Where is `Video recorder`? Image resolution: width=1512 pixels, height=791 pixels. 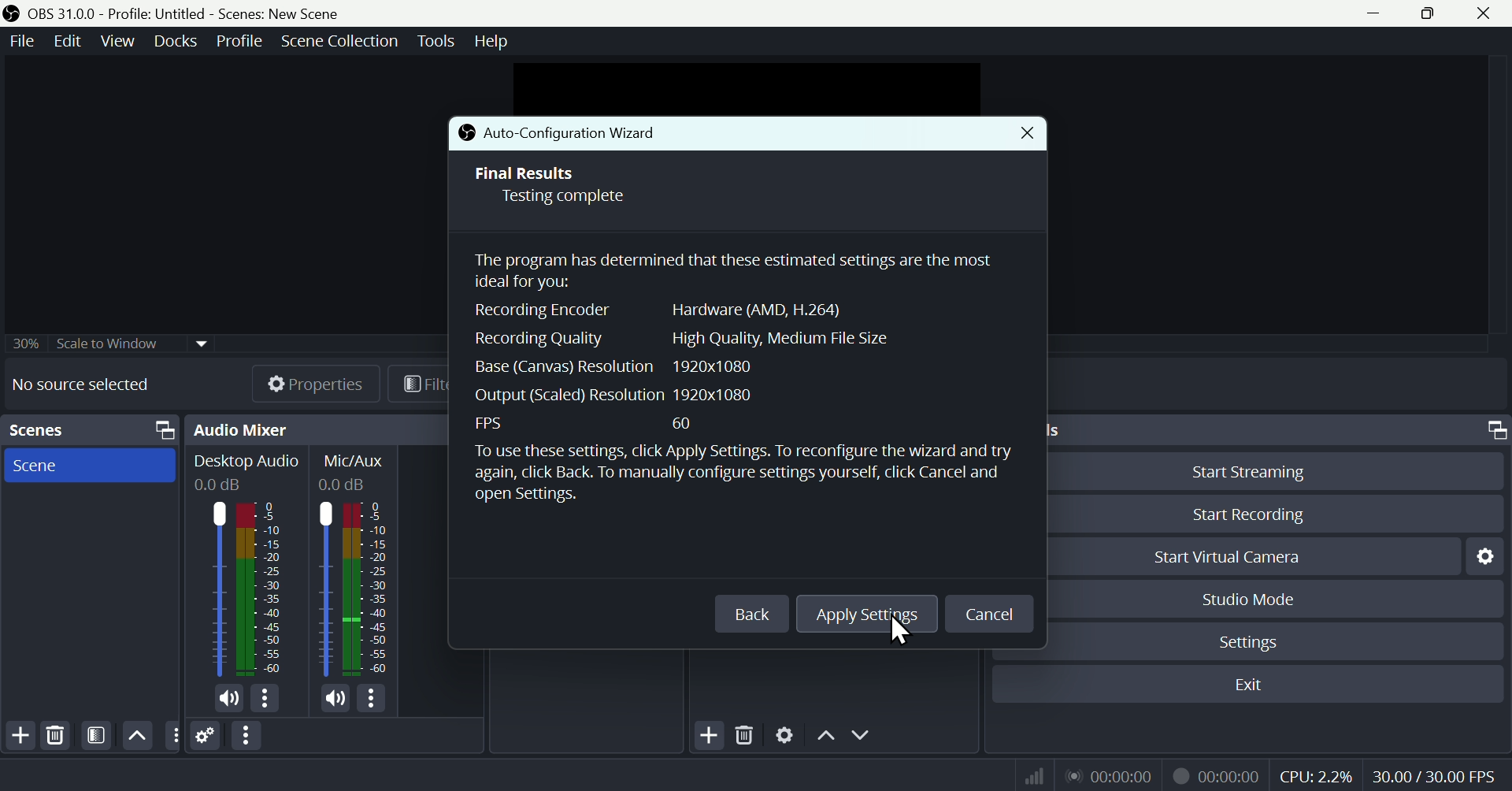
Video recorder is located at coordinates (1215, 774).